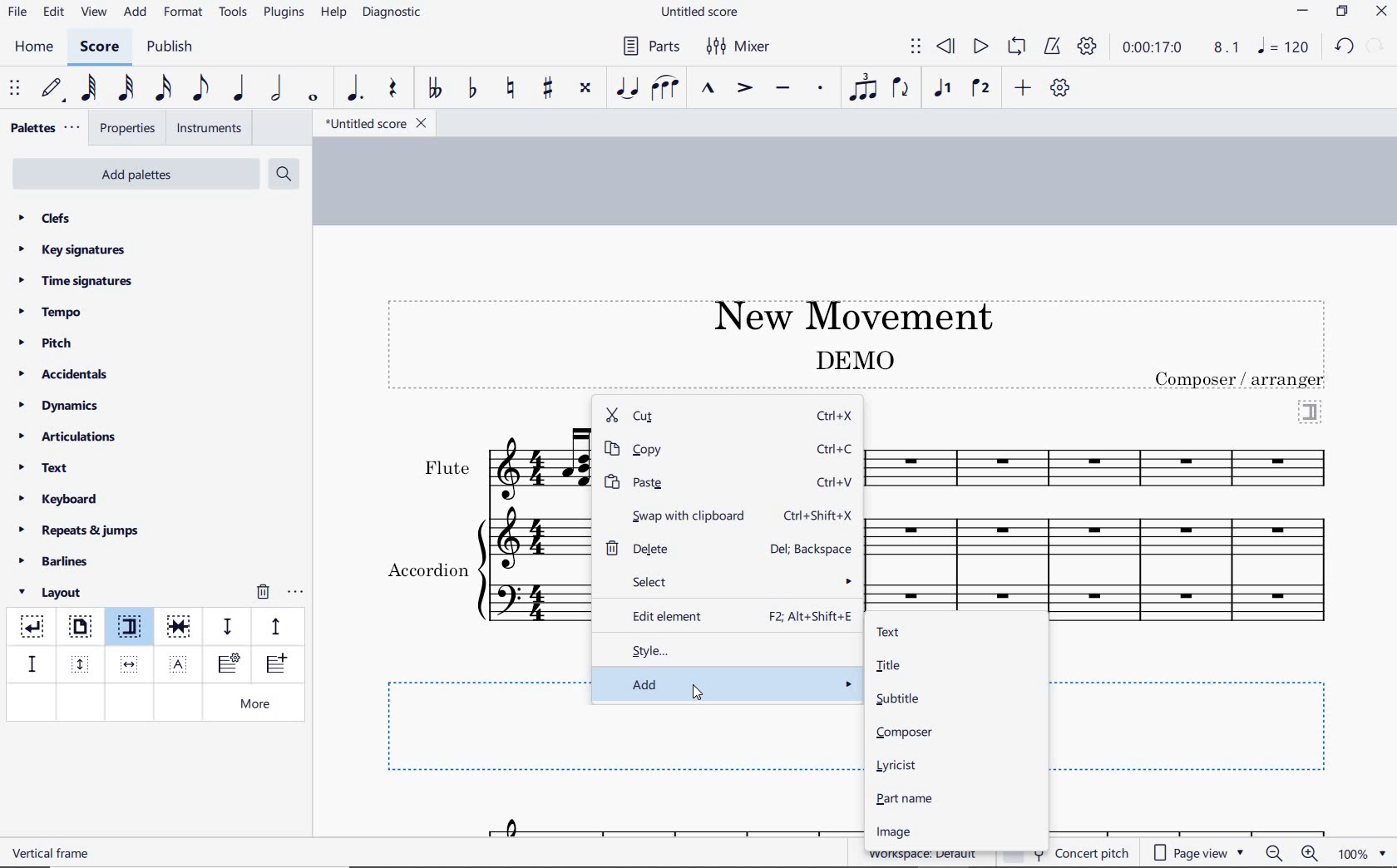  What do you see at coordinates (901, 86) in the screenshot?
I see `flip direction` at bounding box center [901, 86].